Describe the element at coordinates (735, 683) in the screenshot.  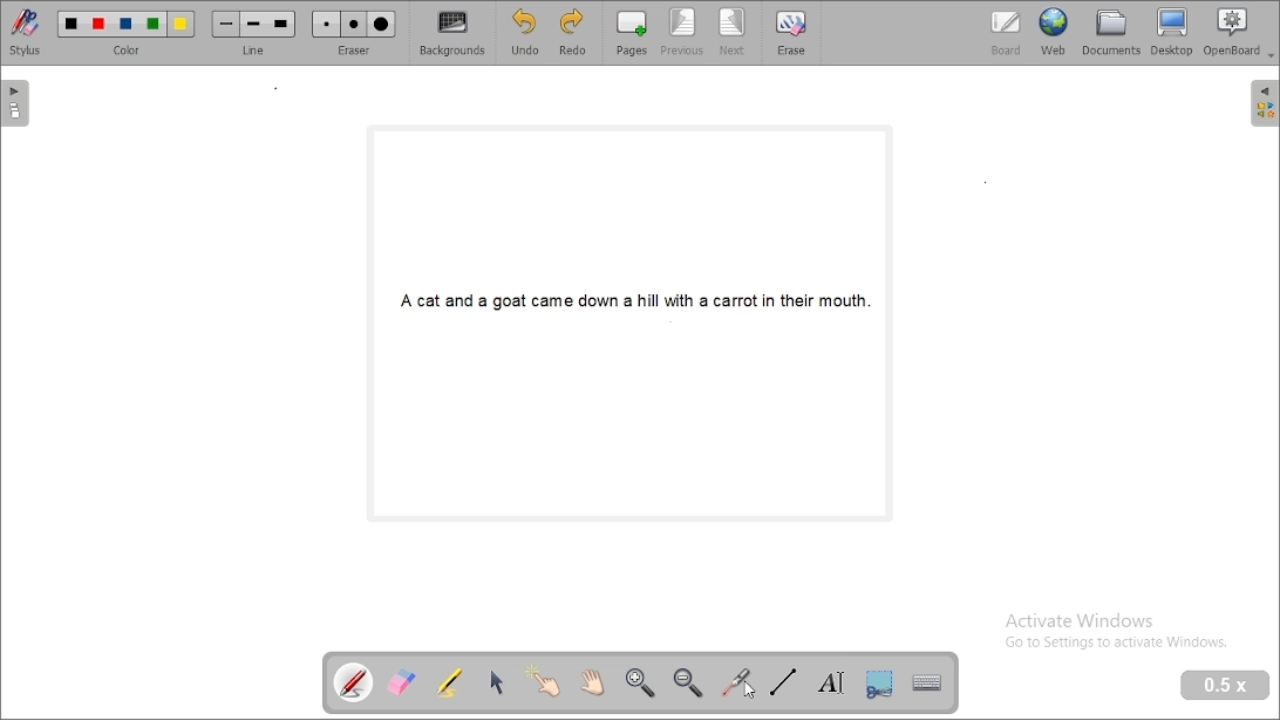
I see `visual laser pointer` at that location.